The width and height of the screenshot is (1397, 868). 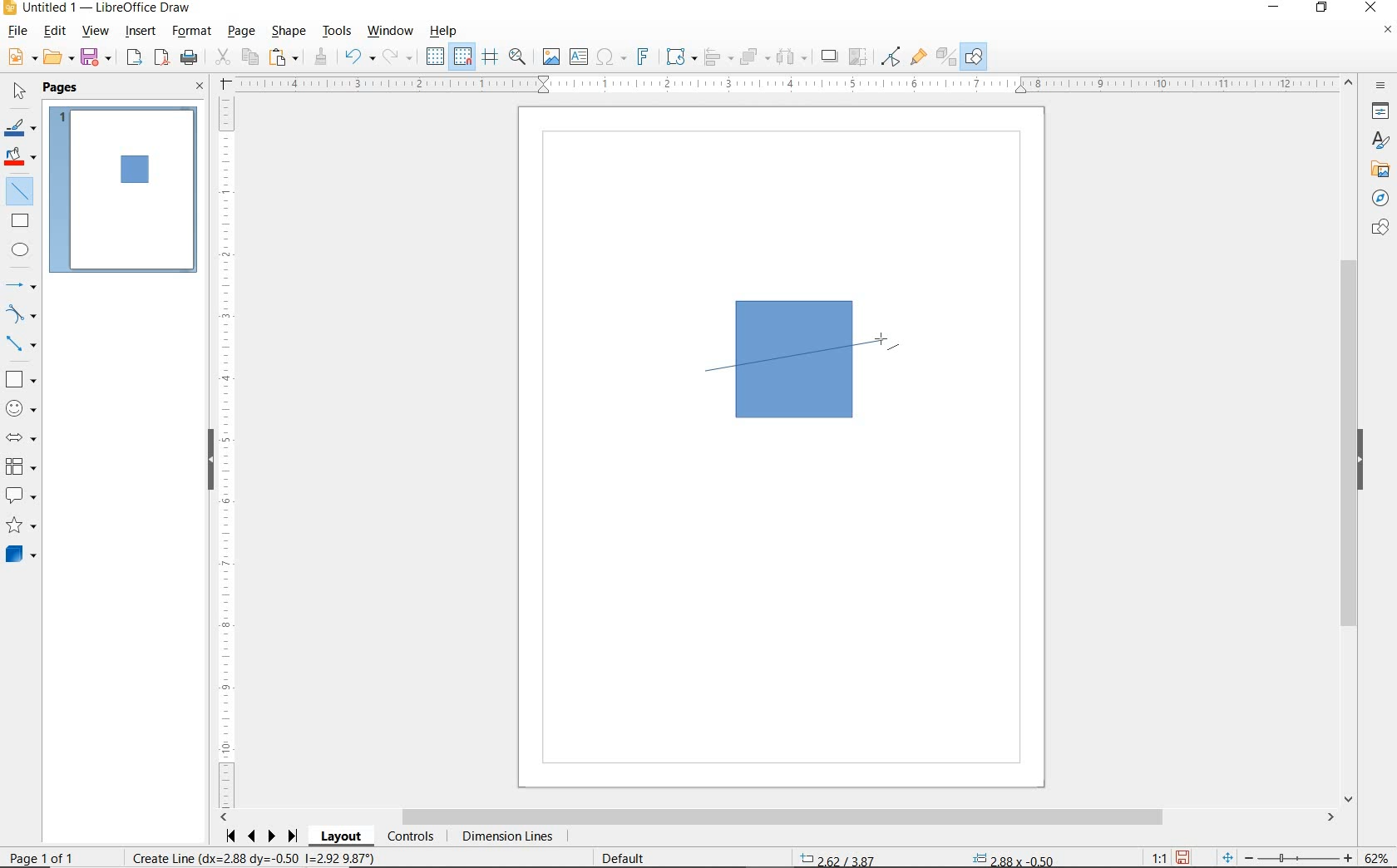 What do you see at coordinates (22, 191) in the screenshot?
I see `INSERT LINE` at bounding box center [22, 191].